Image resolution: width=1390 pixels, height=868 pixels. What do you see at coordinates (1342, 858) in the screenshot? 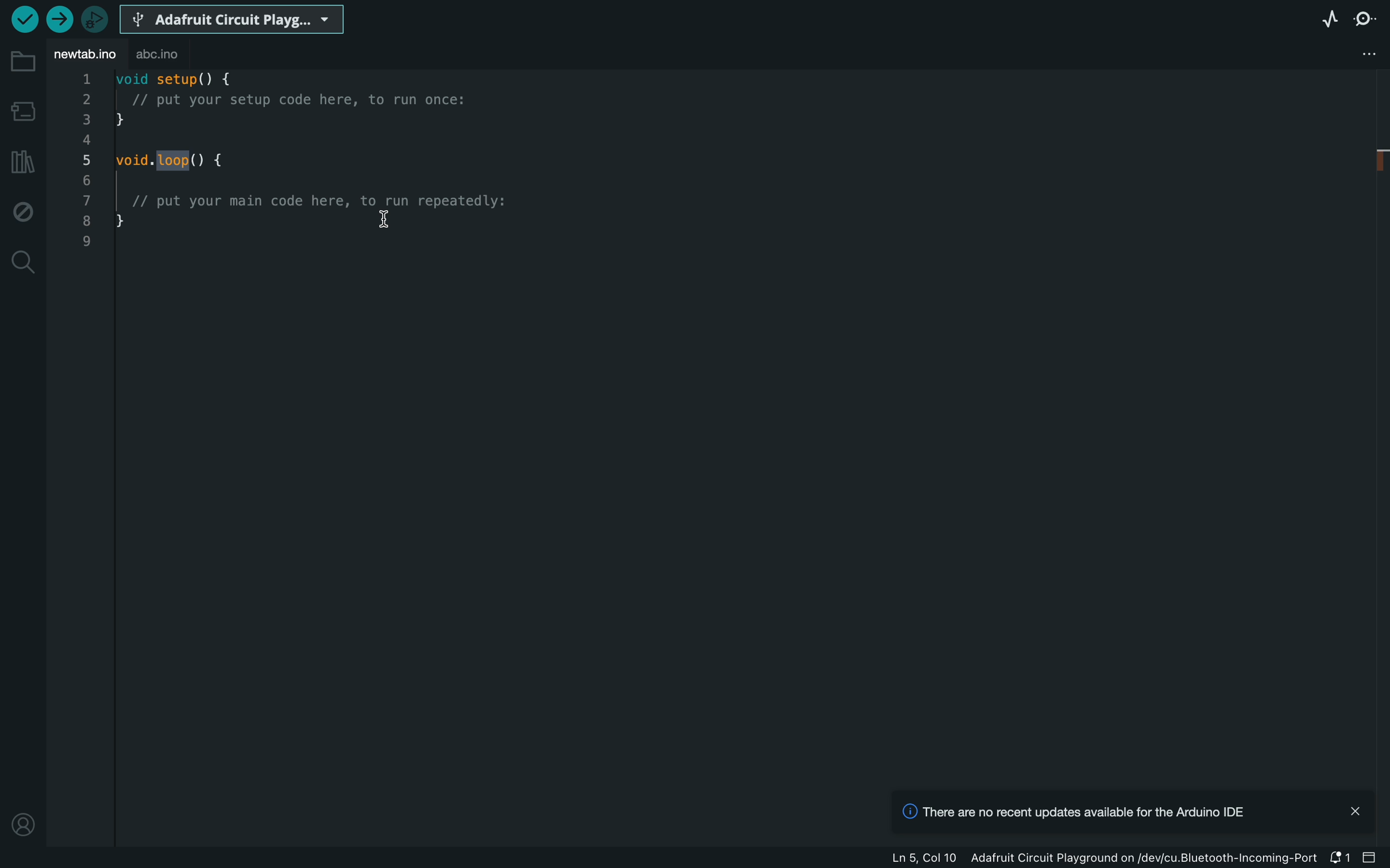
I see `notification` at bounding box center [1342, 858].